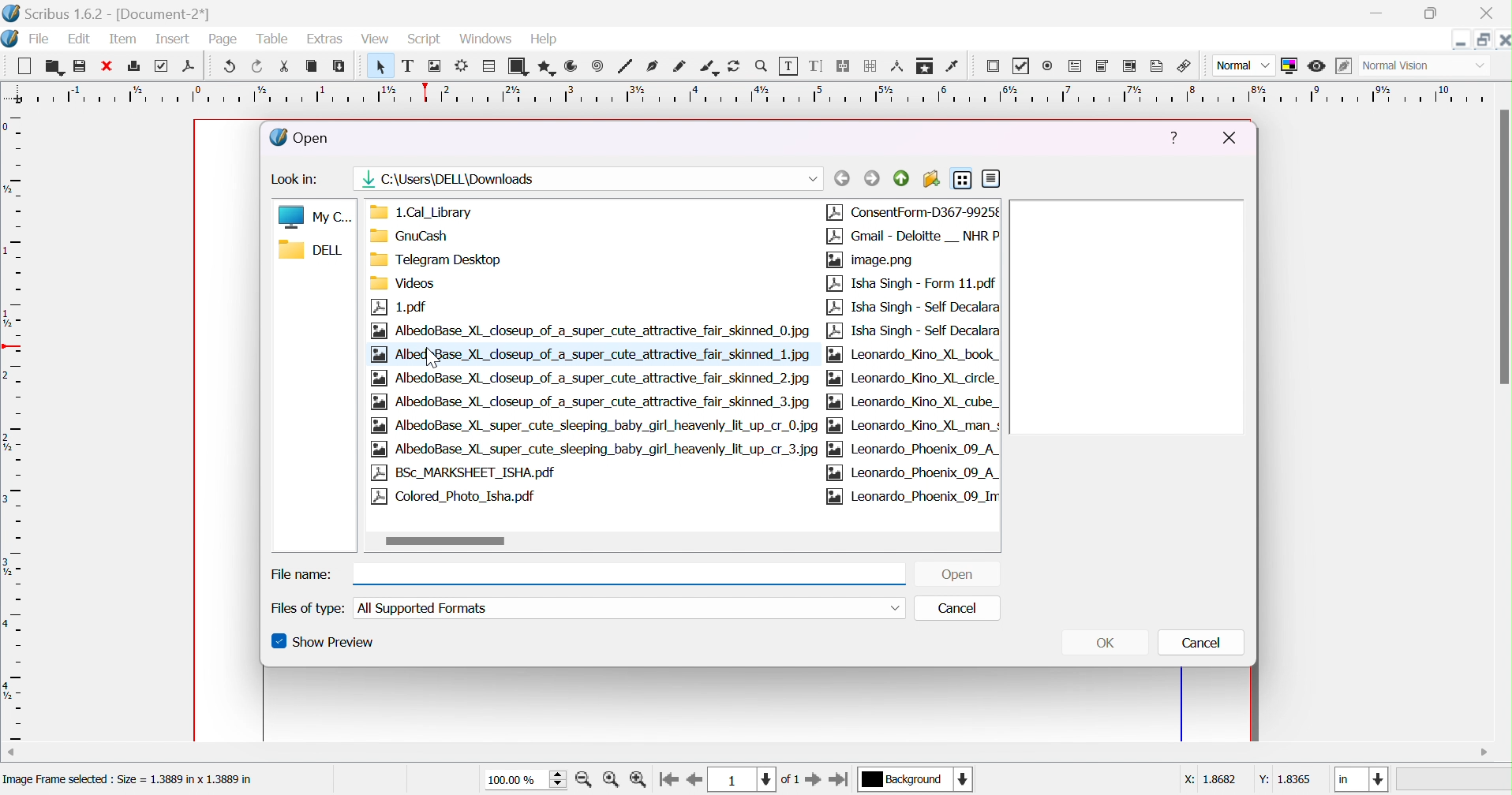  Describe the element at coordinates (762, 65) in the screenshot. I see `zoom in/out` at that location.